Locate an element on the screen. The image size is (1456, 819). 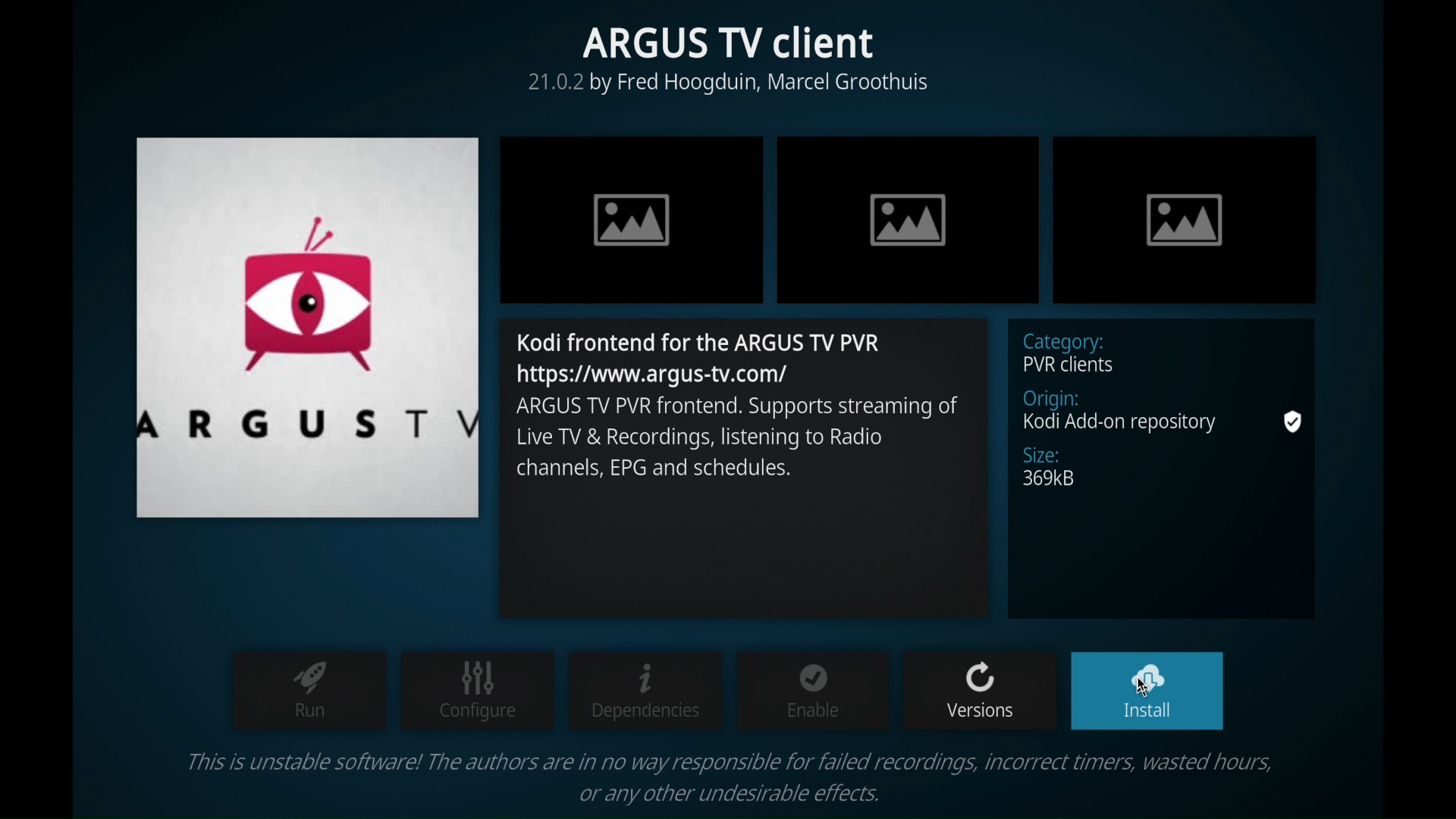
Cursor is located at coordinates (1150, 687).